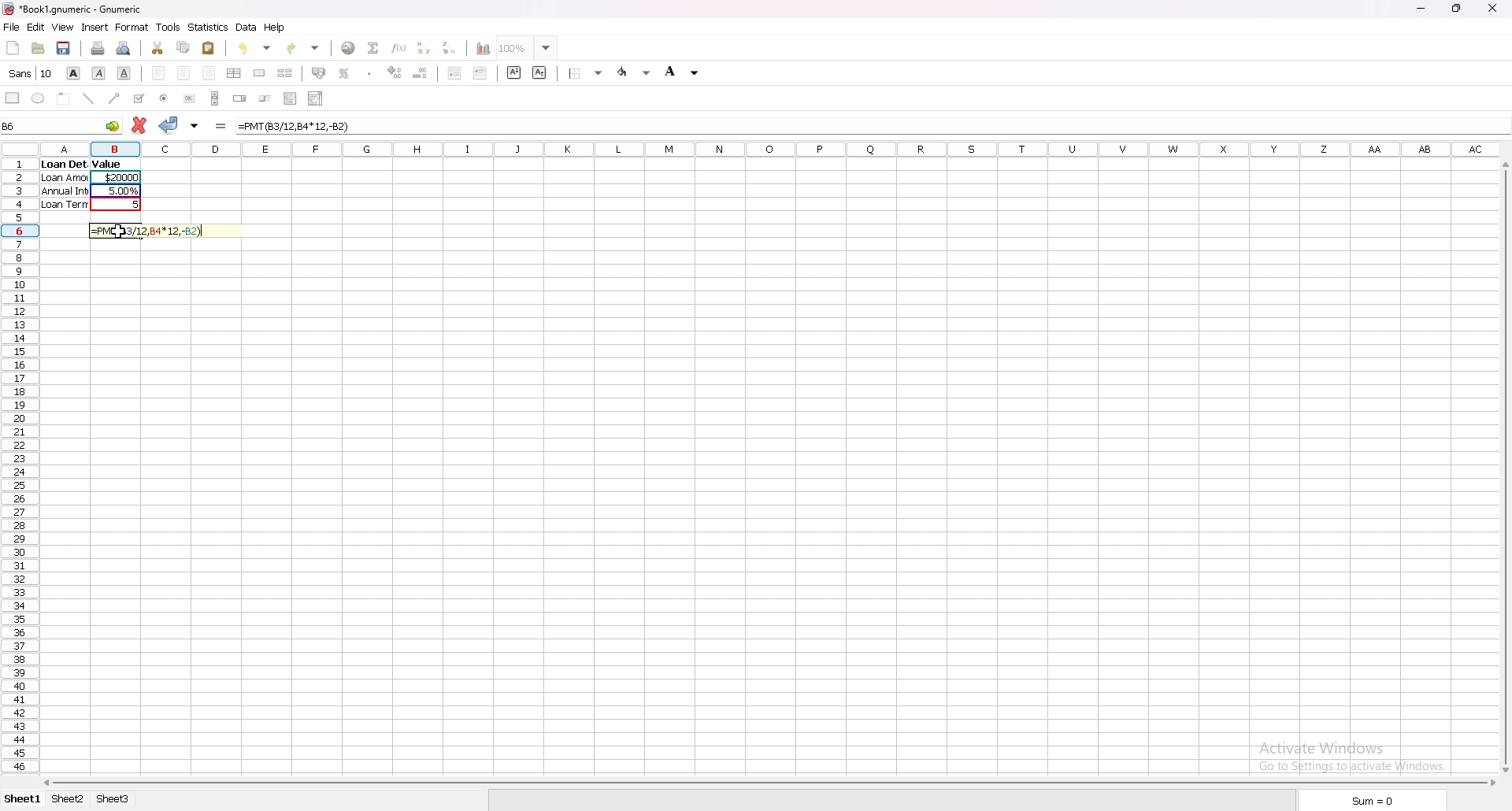  What do you see at coordinates (139, 124) in the screenshot?
I see `cancel change` at bounding box center [139, 124].